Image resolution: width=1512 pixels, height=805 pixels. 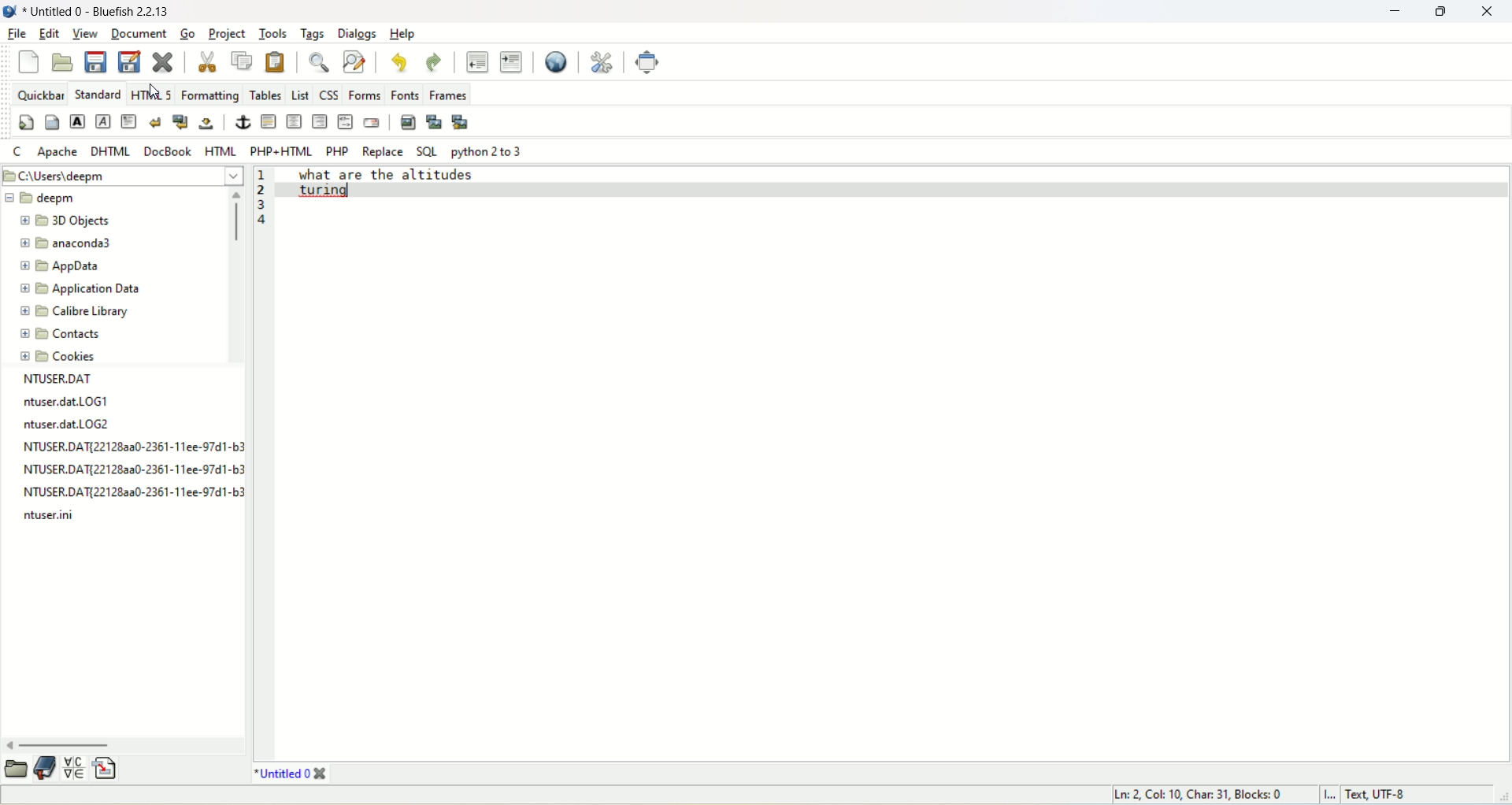 I want to click on ln, col, char, block, so click(x=1193, y=794).